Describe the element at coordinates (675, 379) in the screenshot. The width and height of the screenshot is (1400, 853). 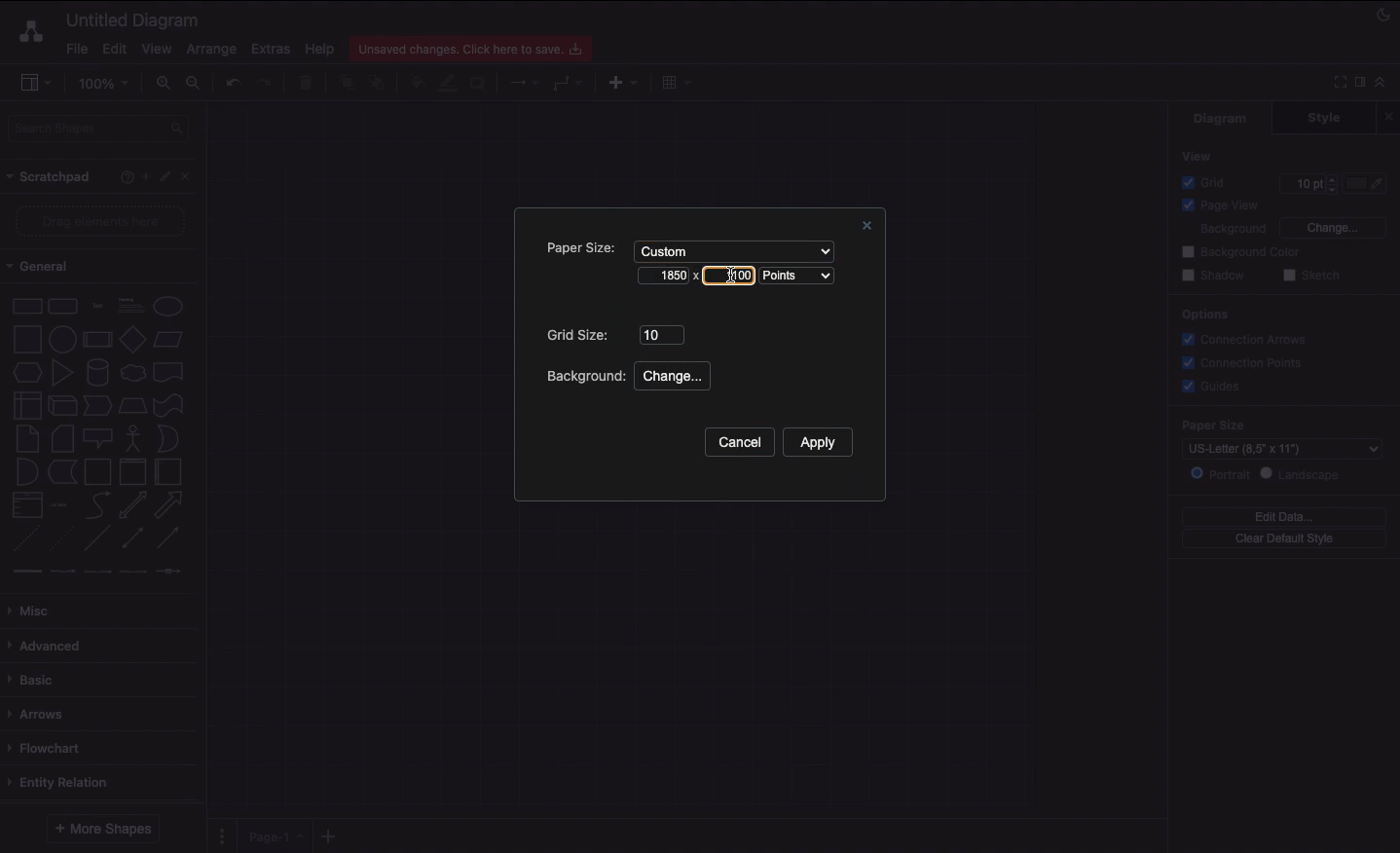
I see `Change...` at that location.